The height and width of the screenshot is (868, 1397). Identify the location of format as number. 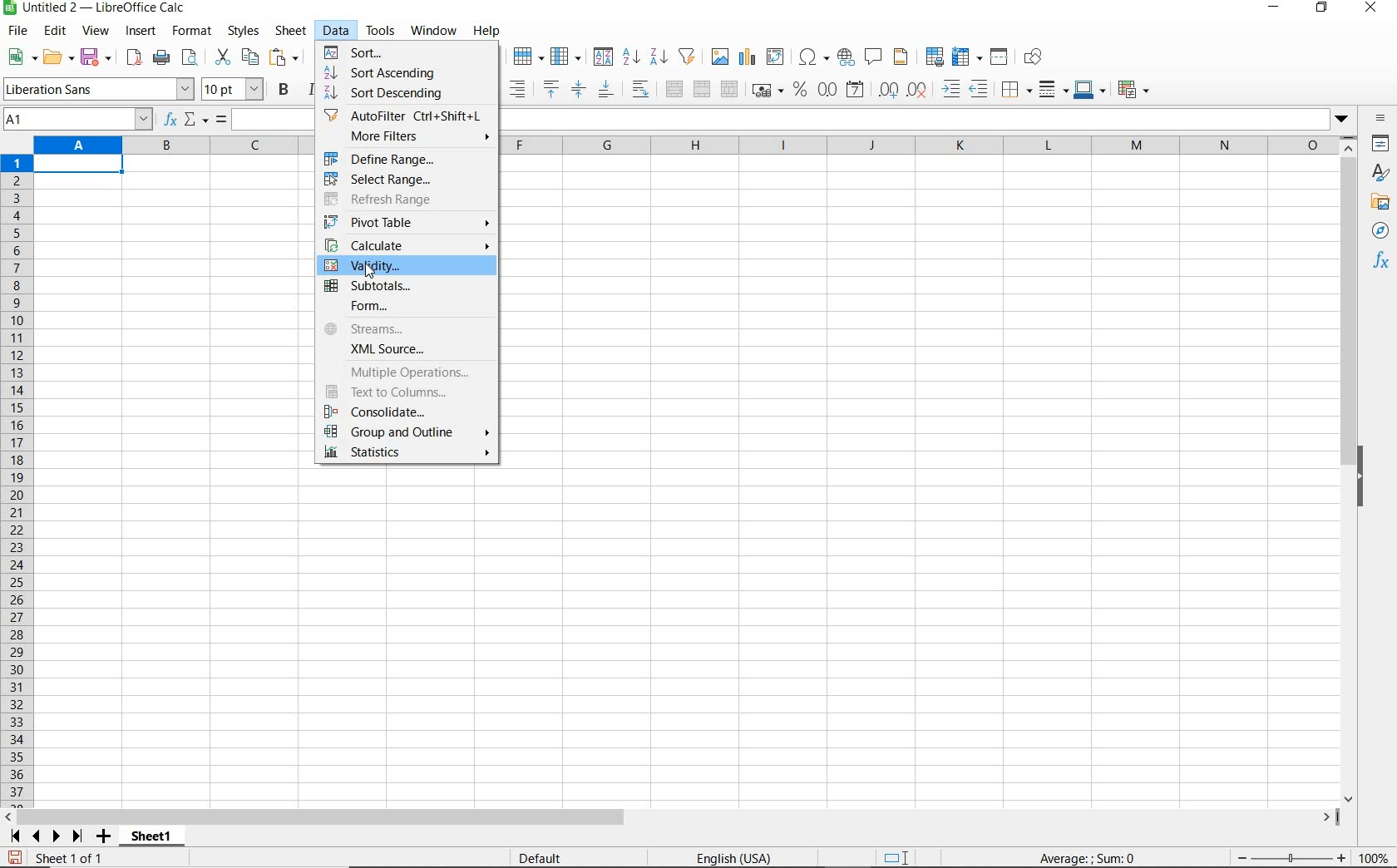
(827, 89).